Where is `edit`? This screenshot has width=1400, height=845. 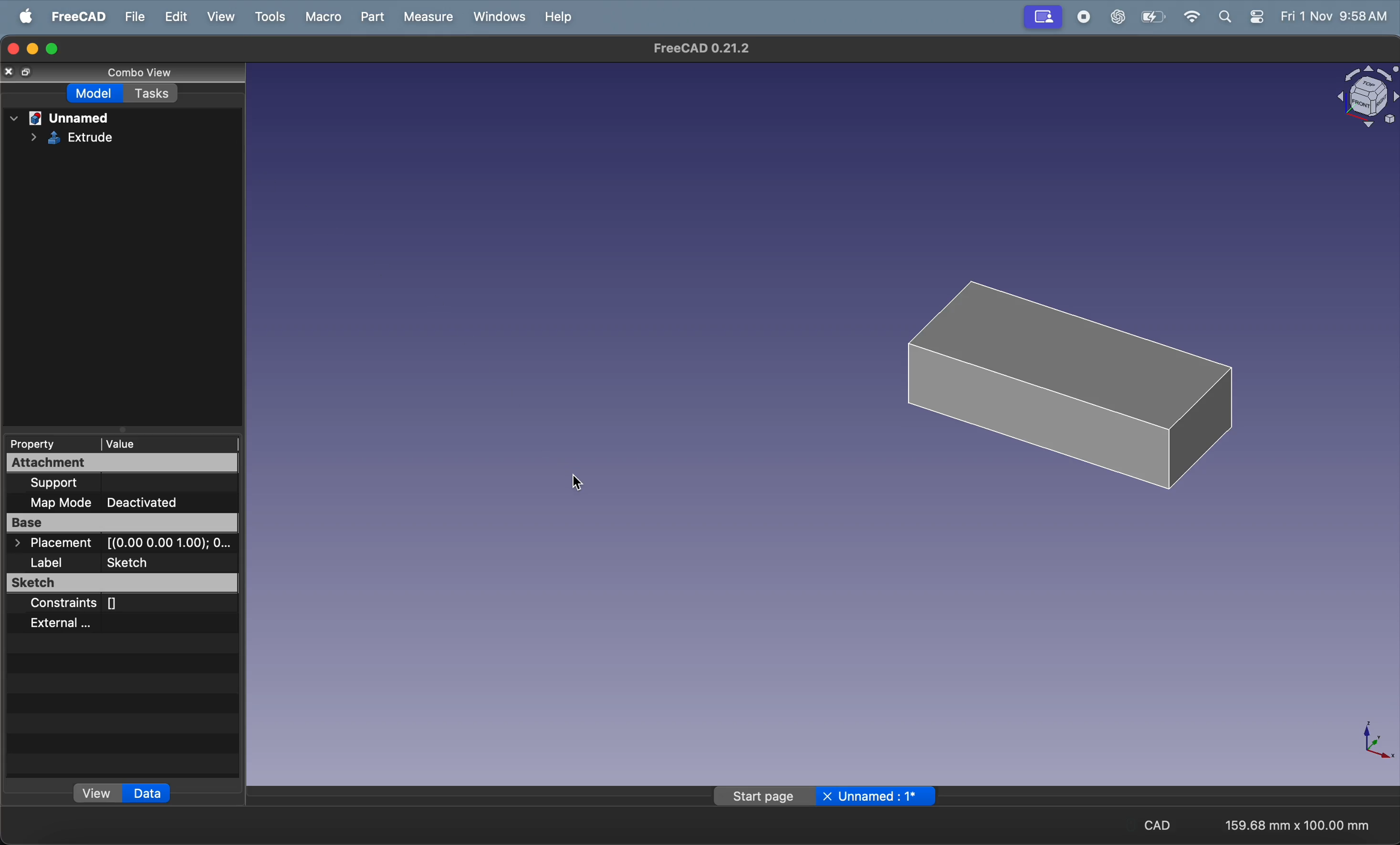
edit is located at coordinates (172, 16).